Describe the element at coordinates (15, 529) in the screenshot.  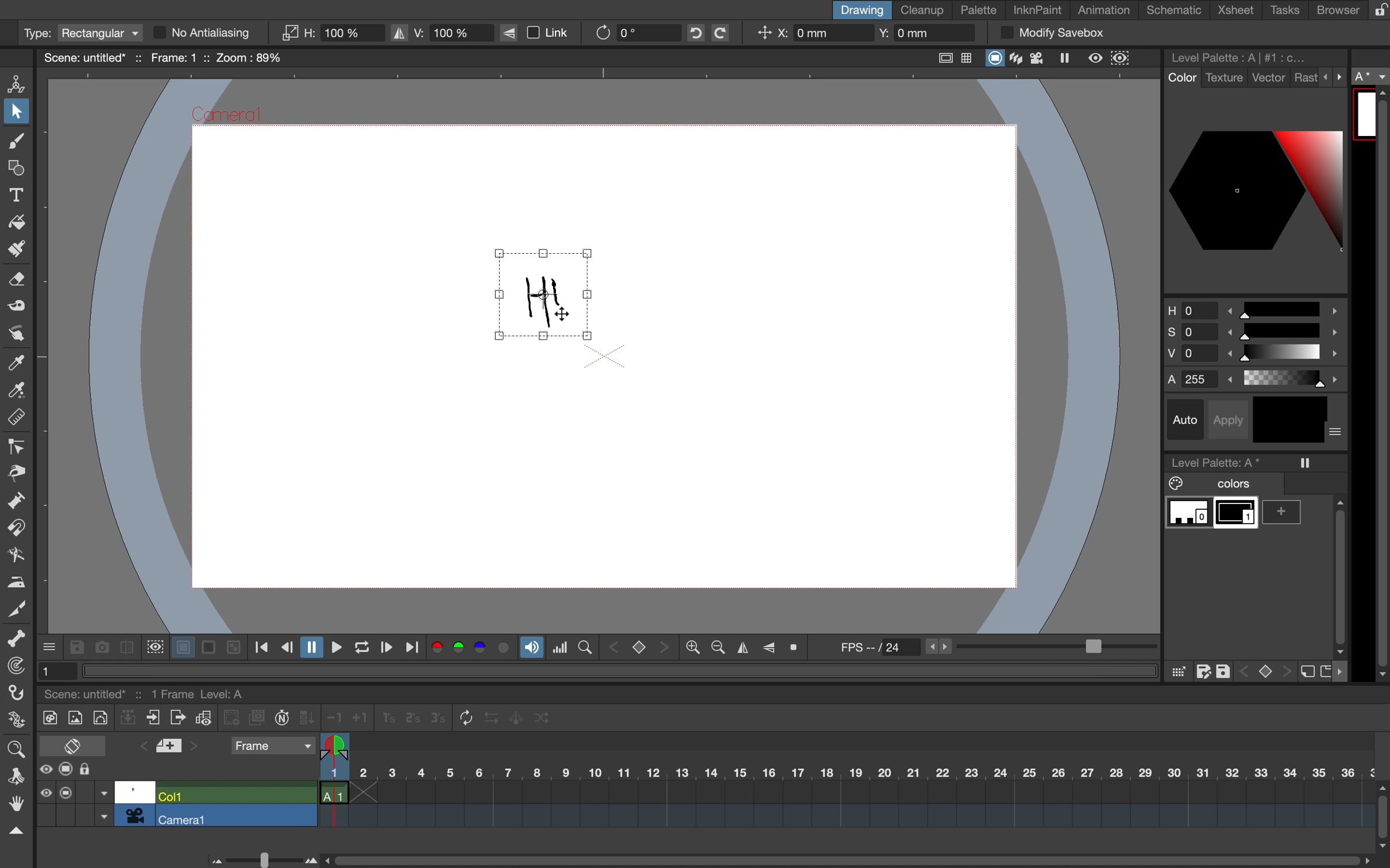
I see `magnet tool` at that location.